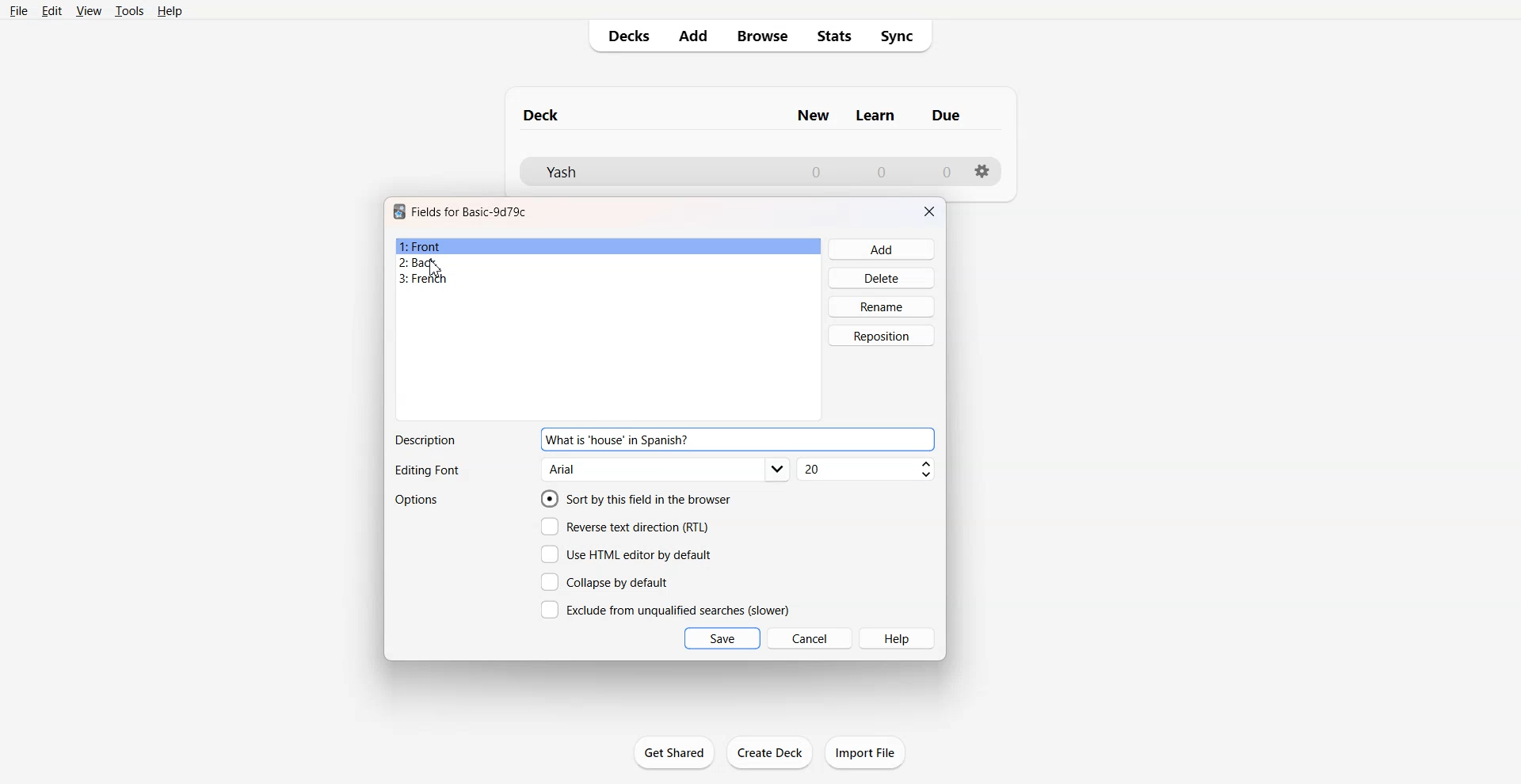 The image size is (1521, 784). What do you see at coordinates (617, 440) in the screenshot?
I see `Text` at bounding box center [617, 440].